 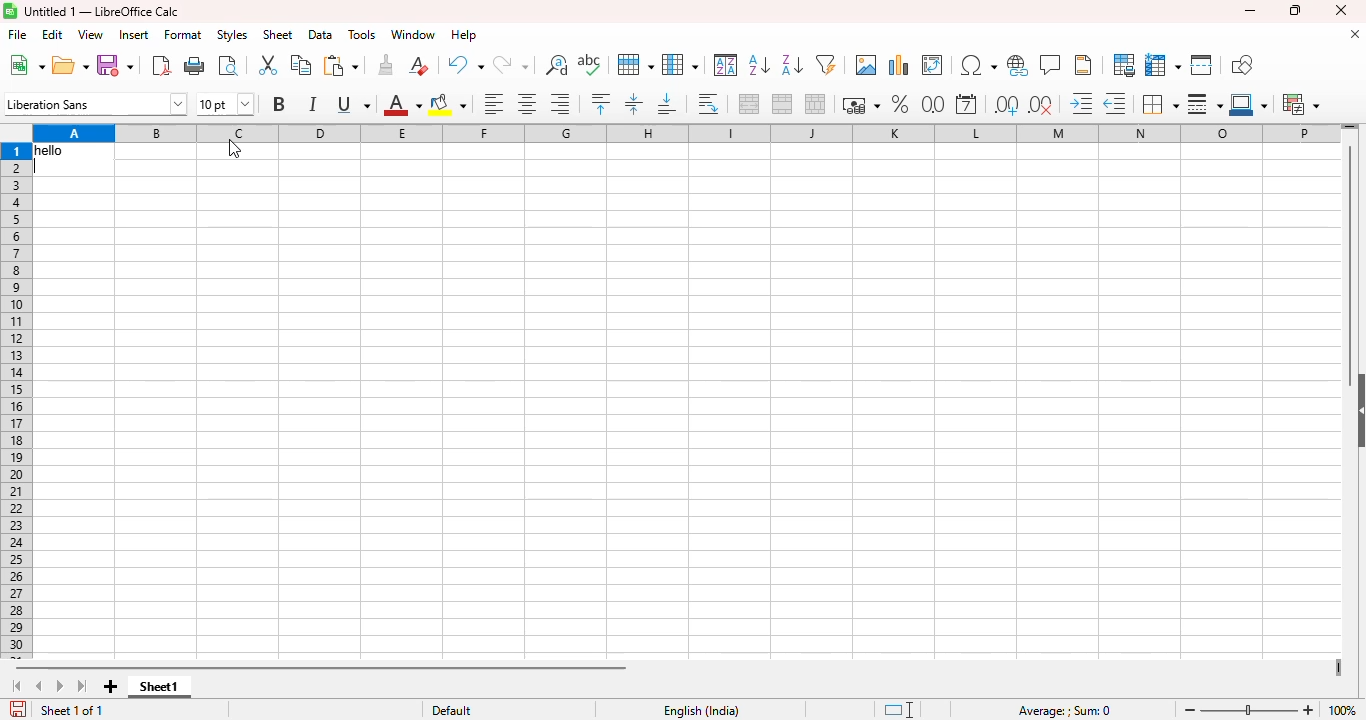 What do you see at coordinates (1308, 710) in the screenshot?
I see `zoom in` at bounding box center [1308, 710].